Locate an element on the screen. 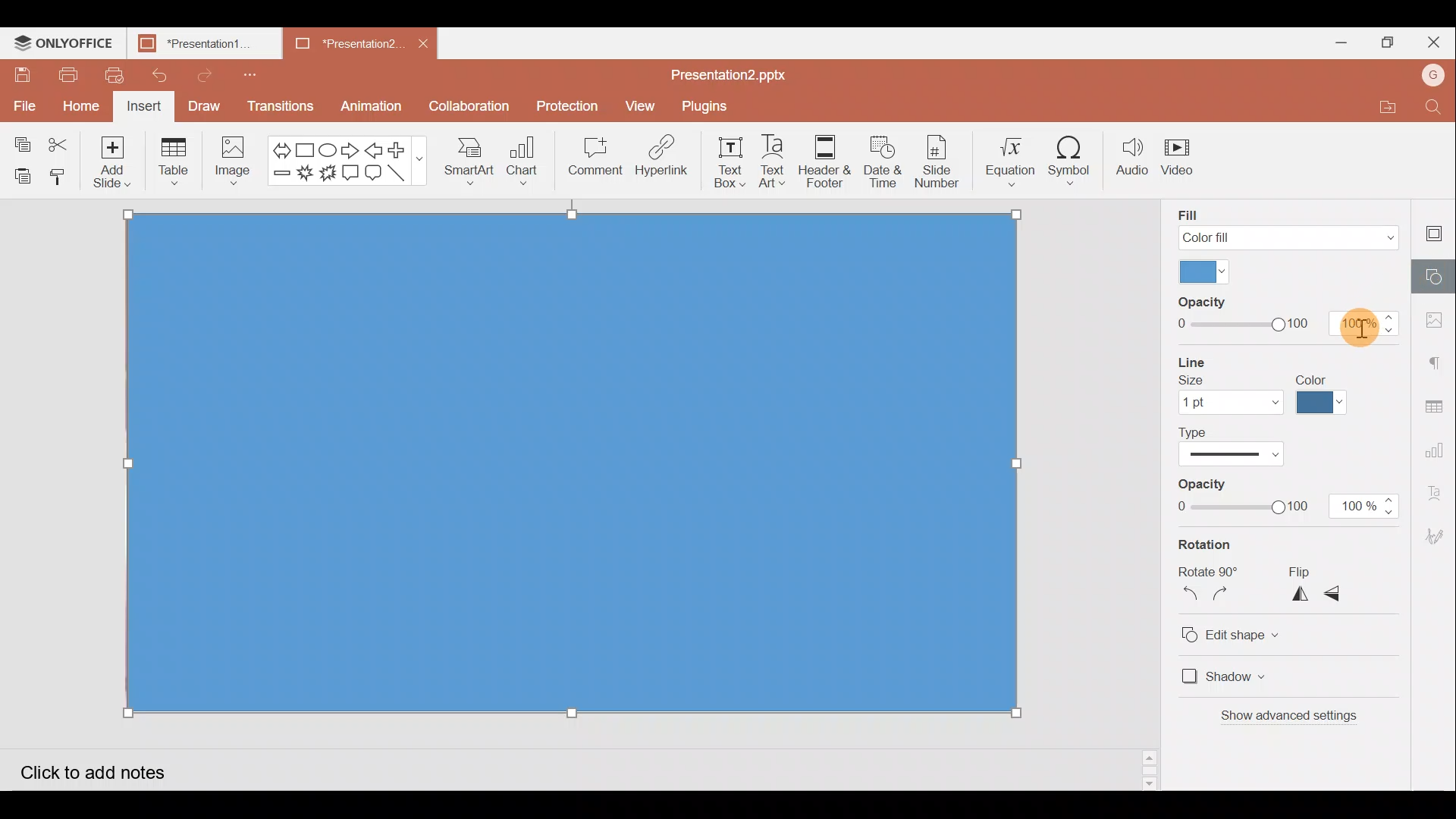  Cut is located at coordinates (61, 140).